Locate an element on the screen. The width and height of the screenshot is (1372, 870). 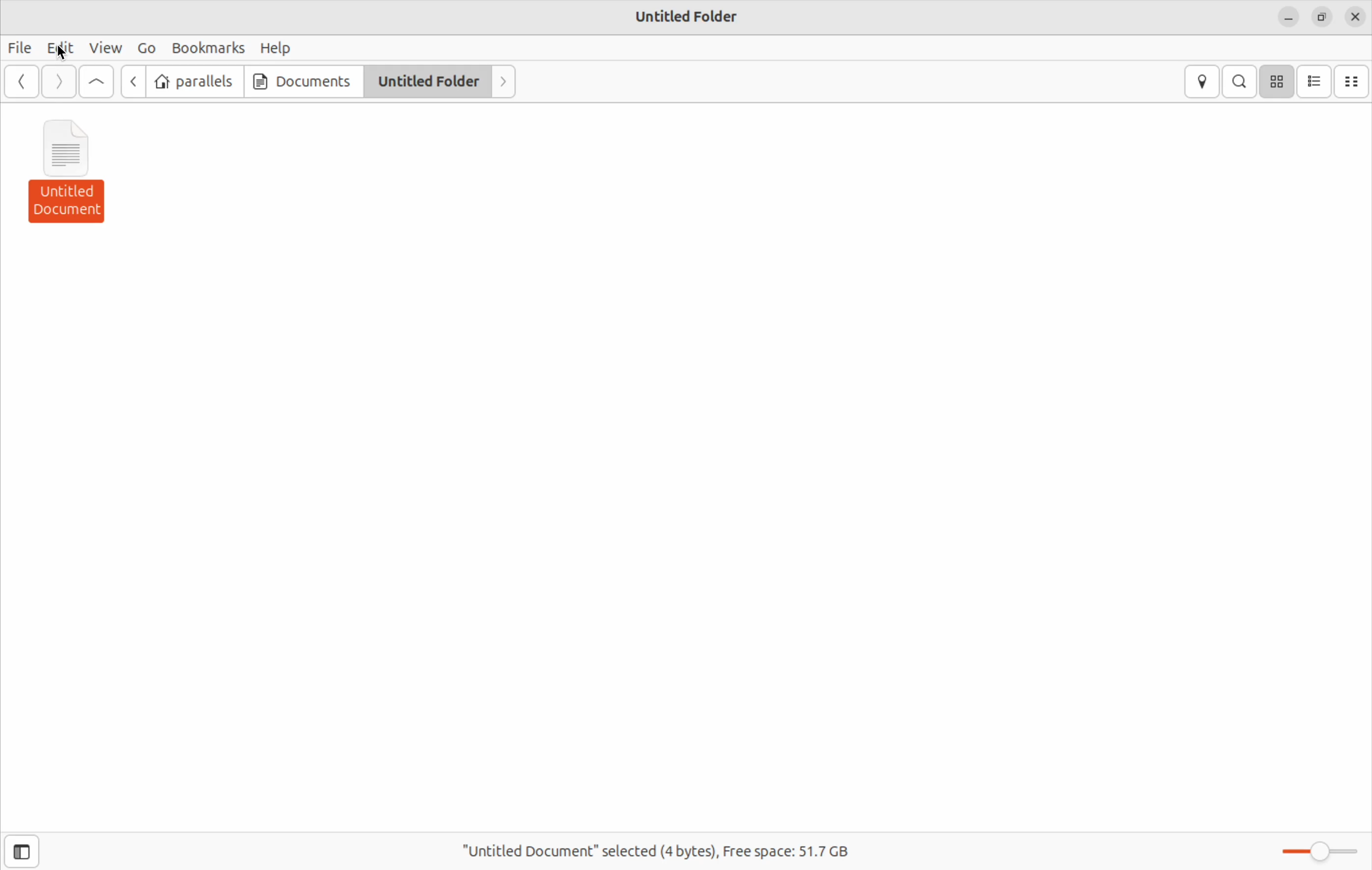
search is located at coordinates (1241, 81).